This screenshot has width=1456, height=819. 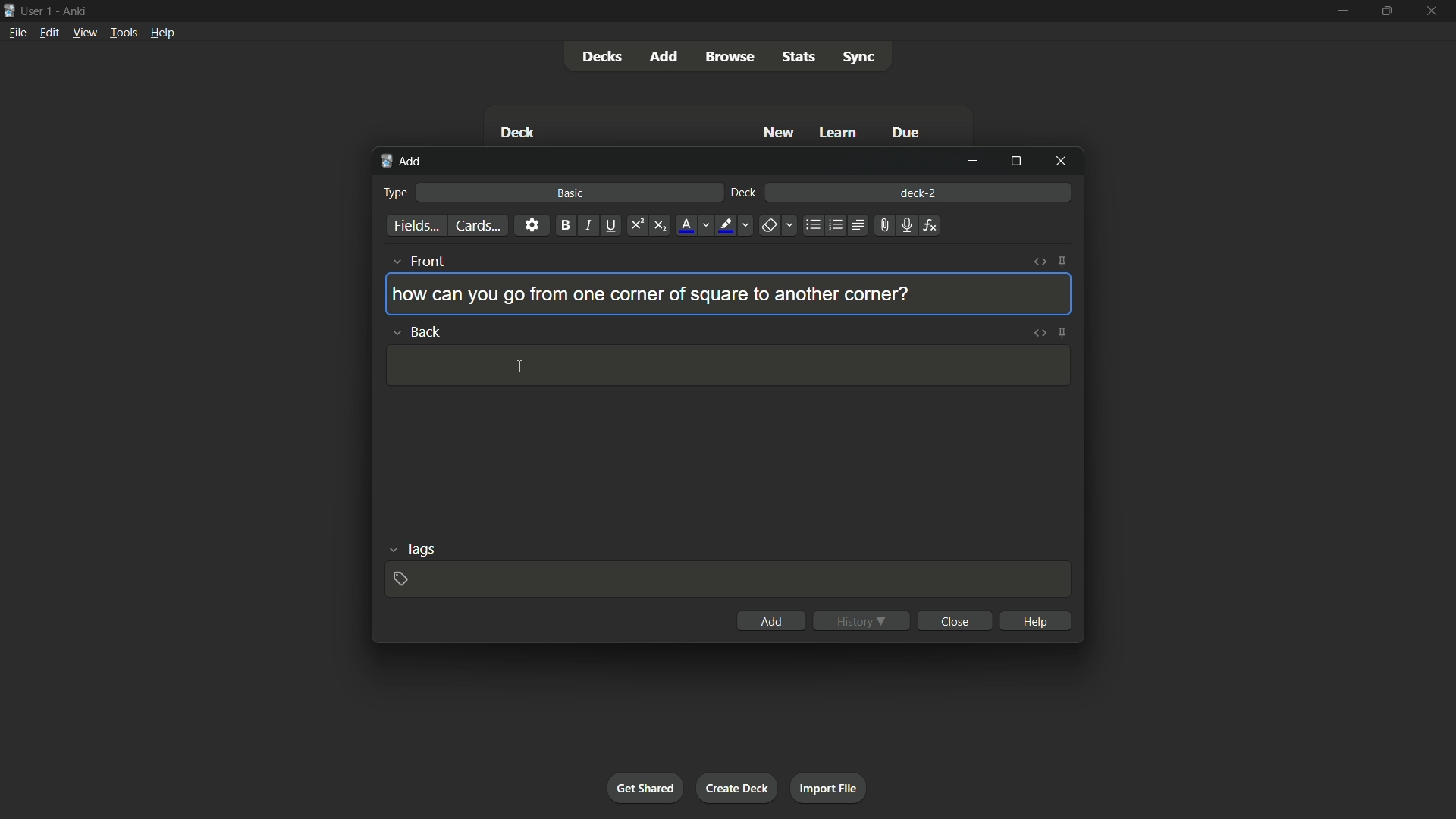 I want to click on app name, so click(x=75, y=11).